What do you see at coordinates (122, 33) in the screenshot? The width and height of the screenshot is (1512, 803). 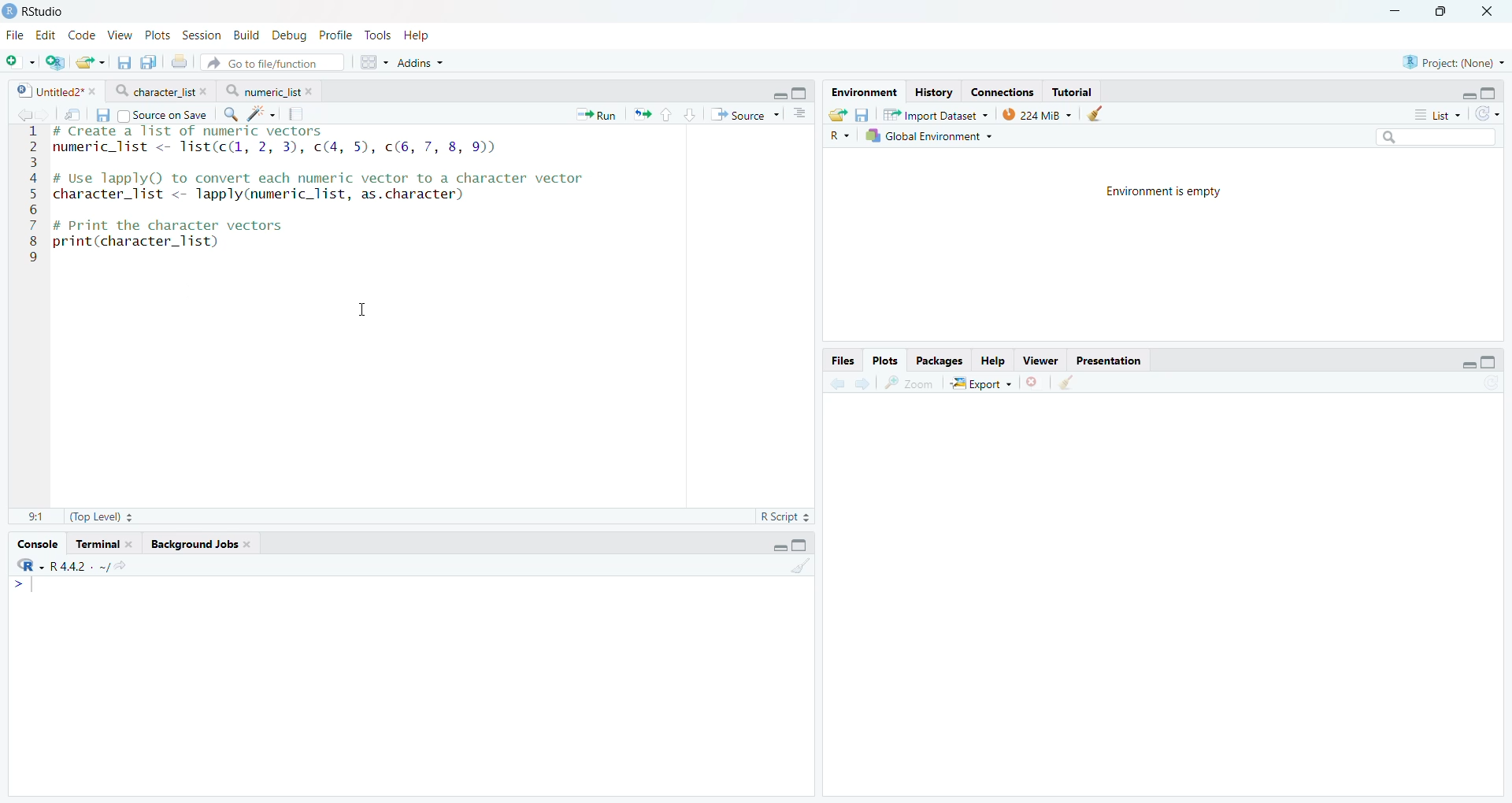 I see `View` at bounding box center [122, 33].